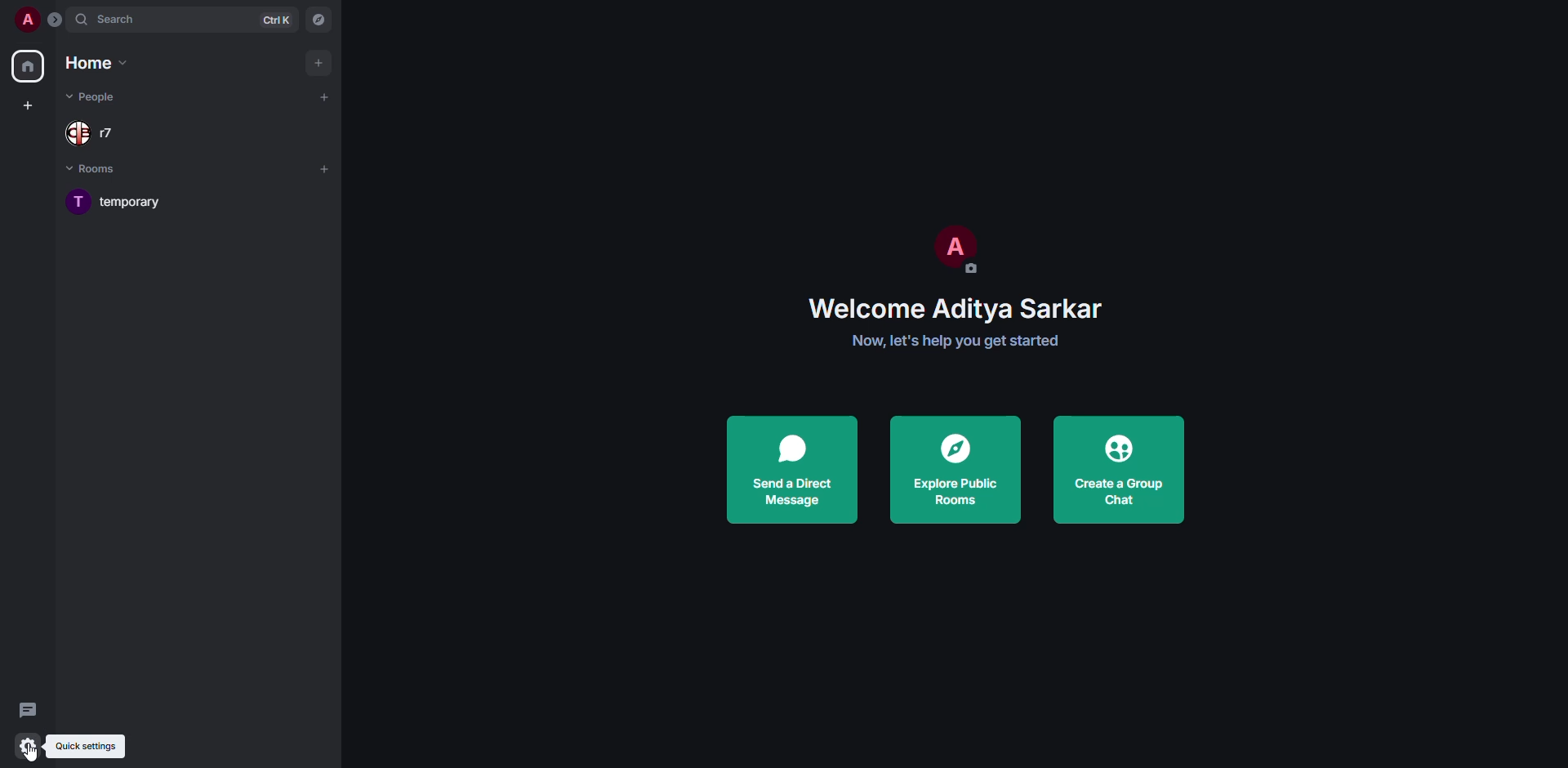  What do you see at coordinates (326, 165) in the screenshot?
I see `add` at bounding box center [326, 165].